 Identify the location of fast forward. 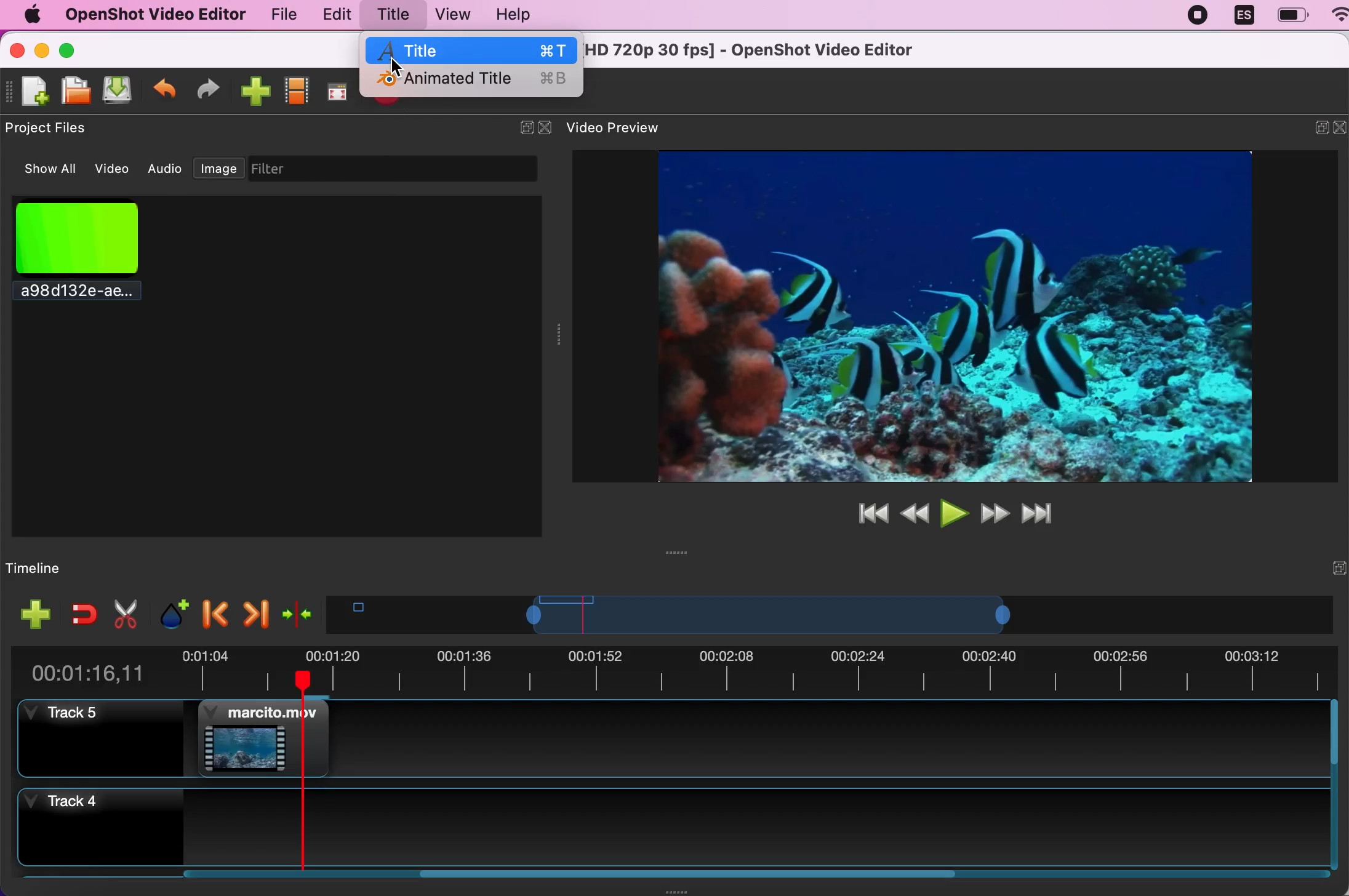
(995, 513).